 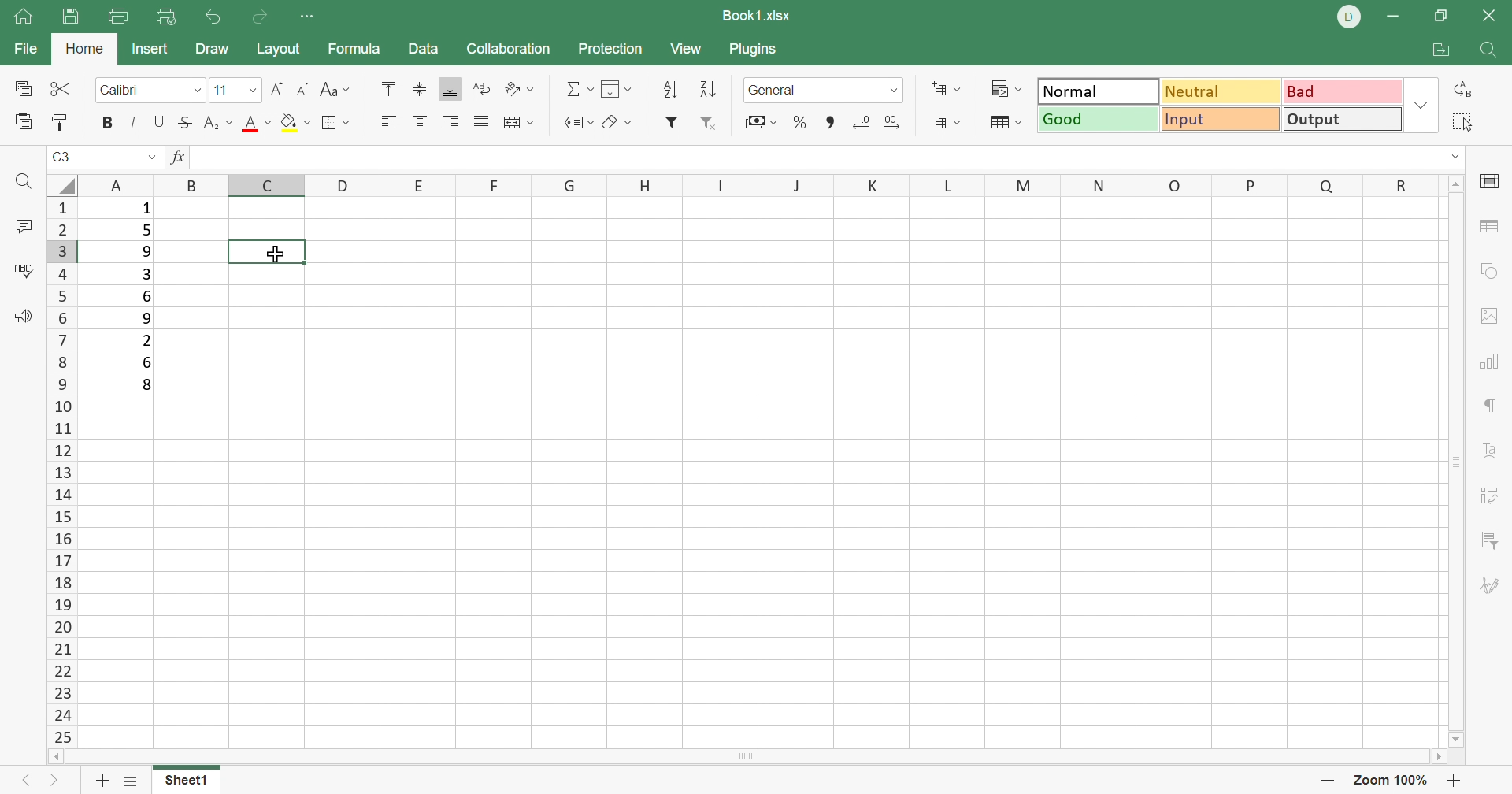 What do you see at coordinates (60, 755) in the screenshot?
I see `Scroll Left` at bounding box center [60, 755].